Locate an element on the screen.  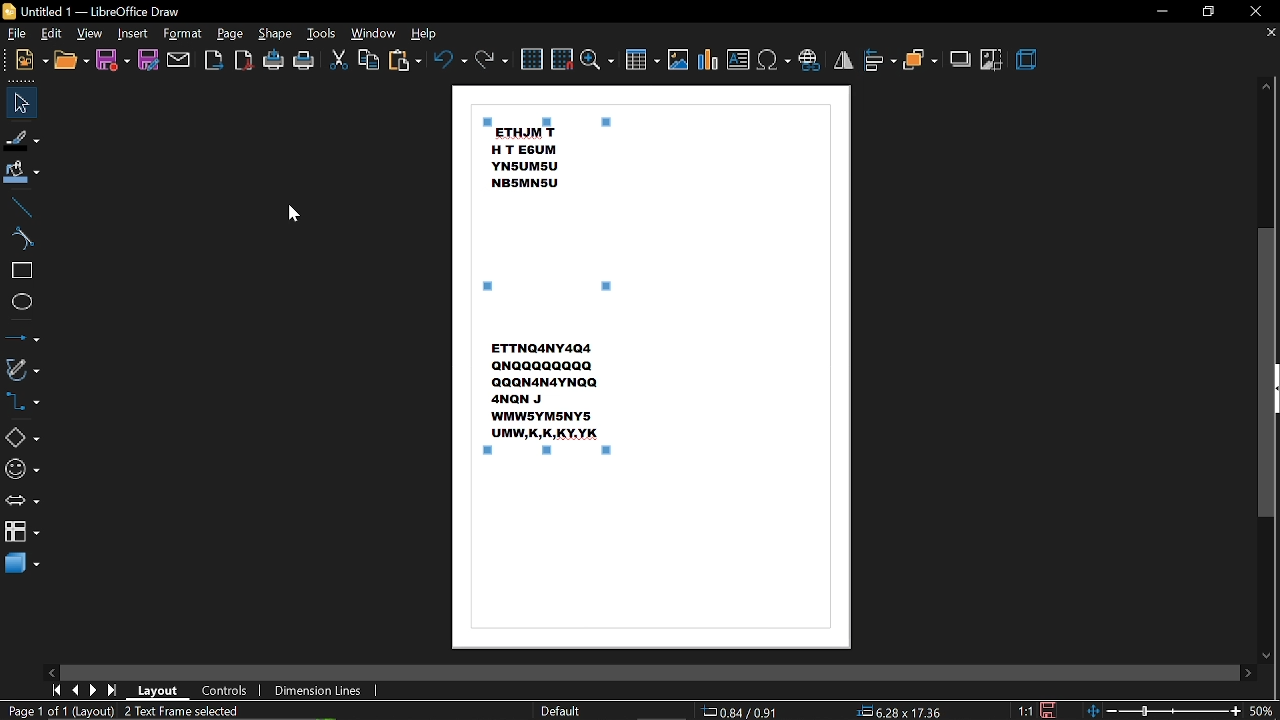
3d shapes is located at coordinates (22, 565).